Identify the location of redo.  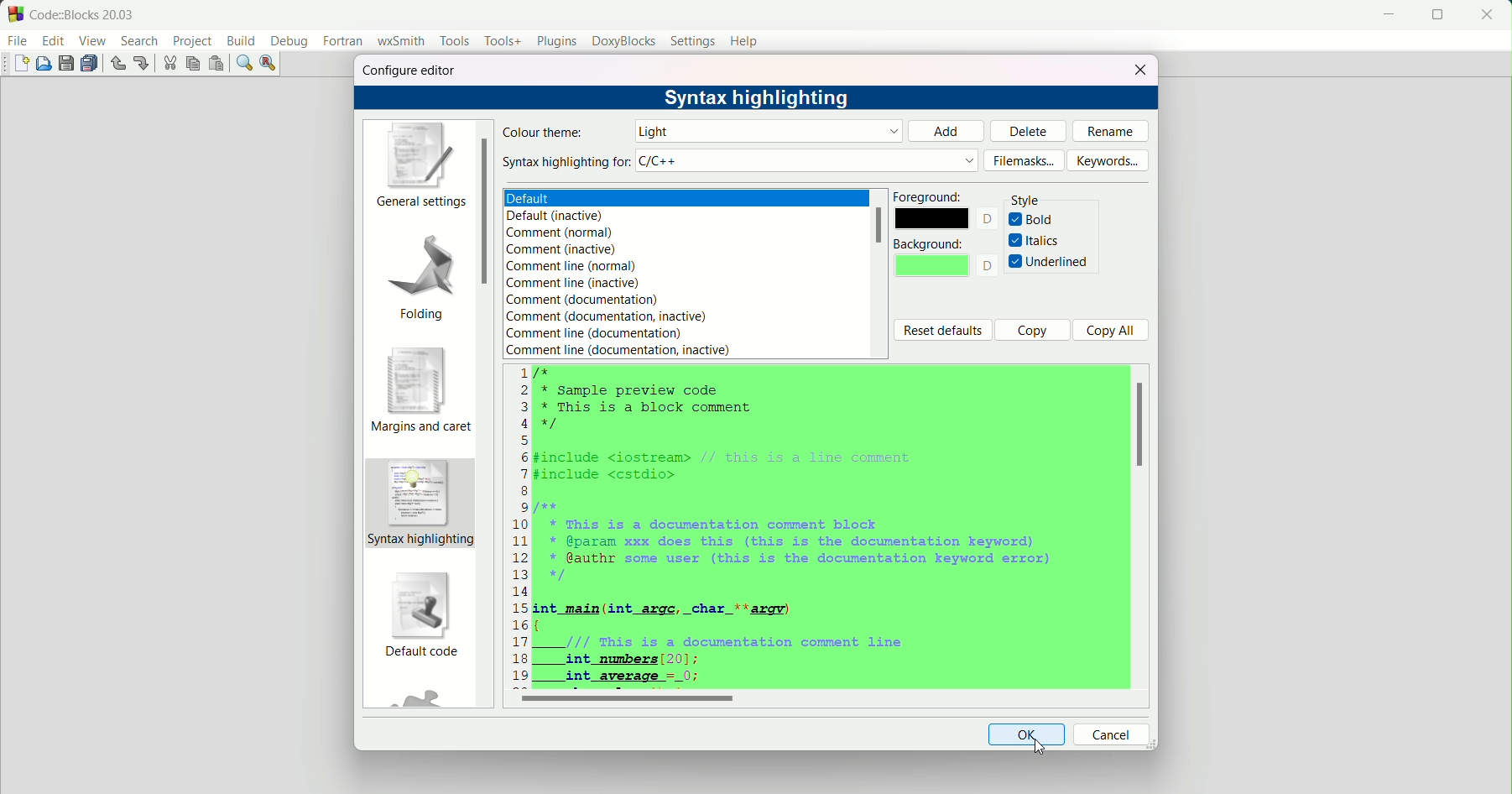
(141, 62).